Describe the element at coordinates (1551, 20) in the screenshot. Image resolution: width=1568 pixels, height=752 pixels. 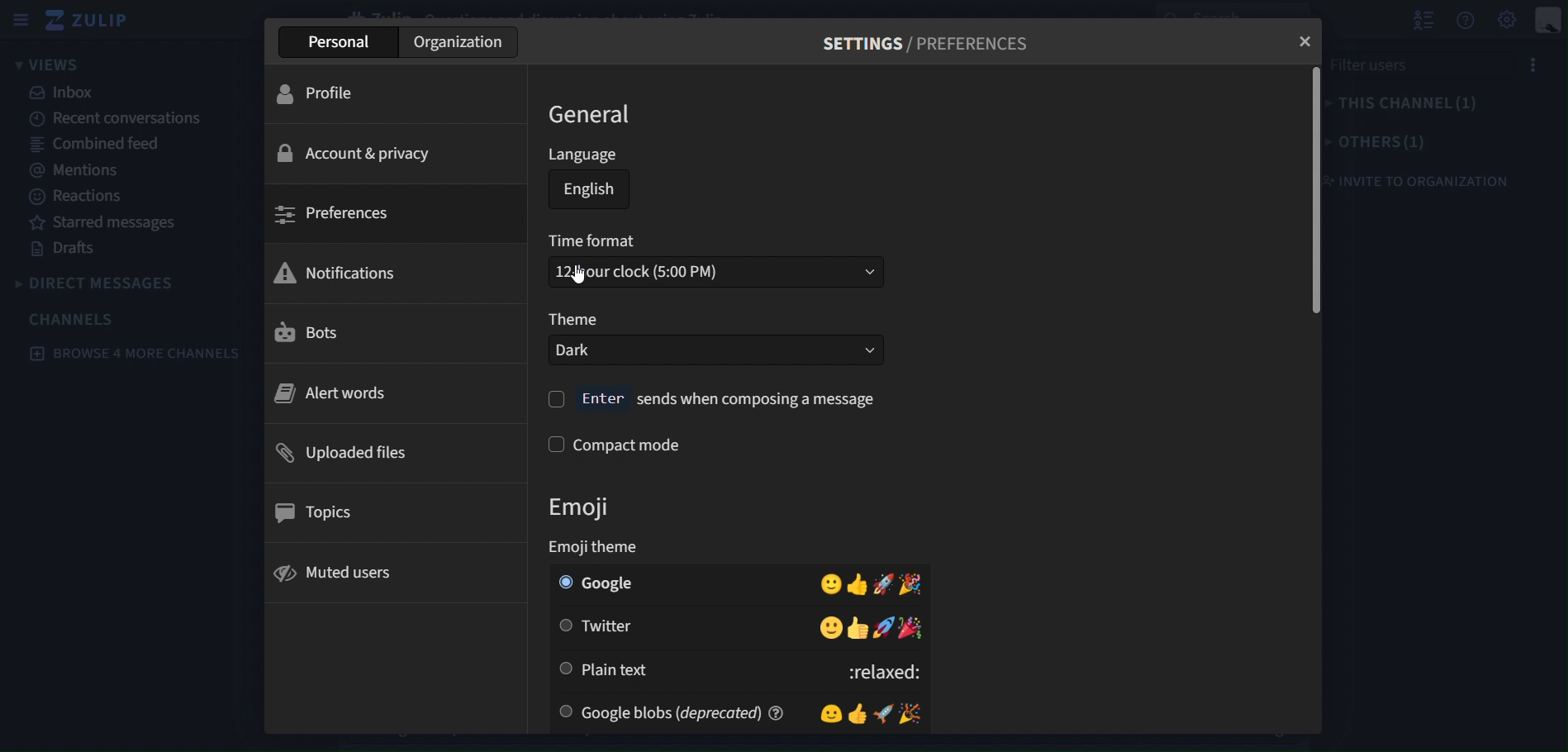
I see `personal menu` at that location.